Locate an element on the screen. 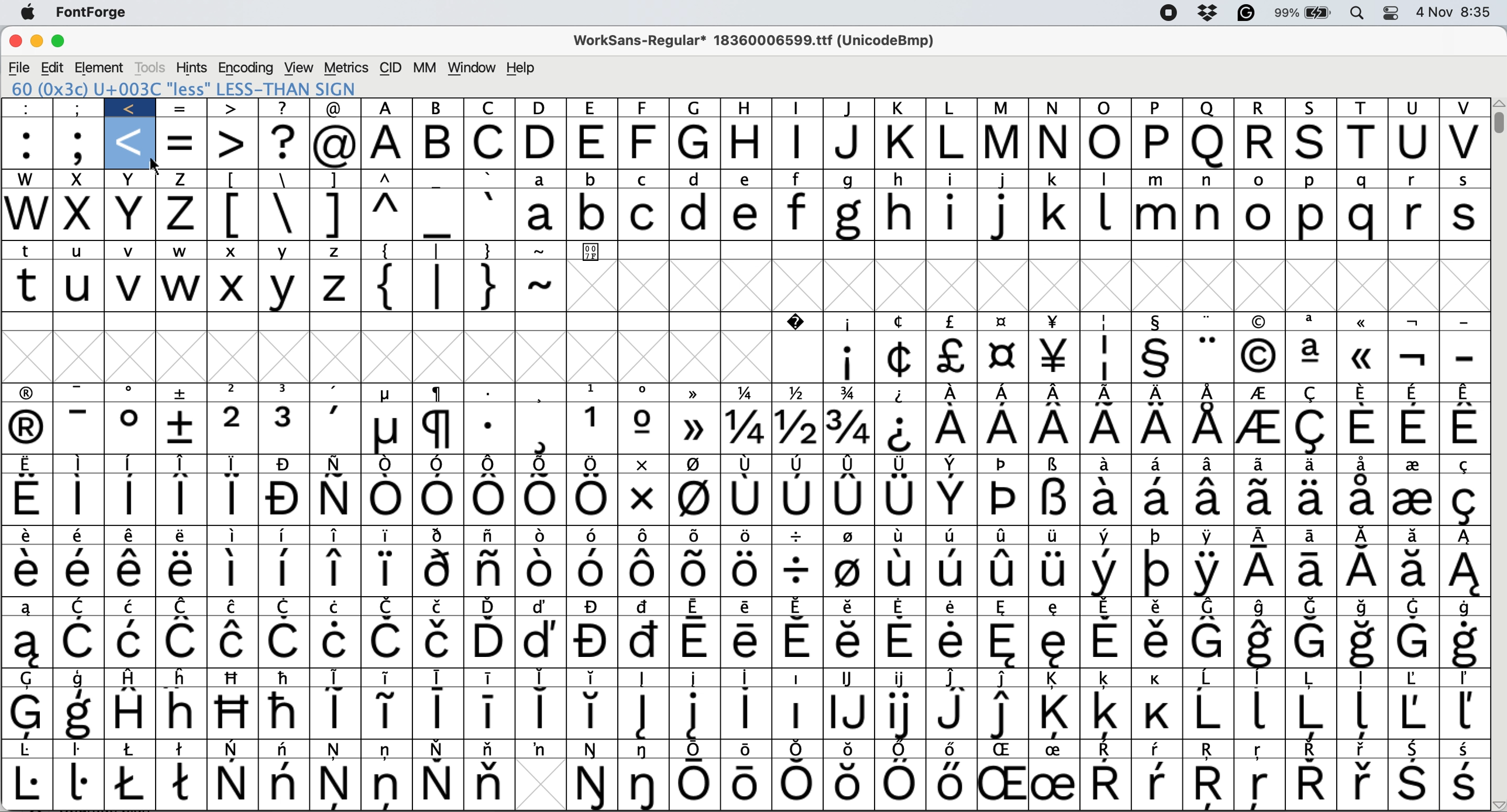  Symbol is located at coordinates (696, 465).